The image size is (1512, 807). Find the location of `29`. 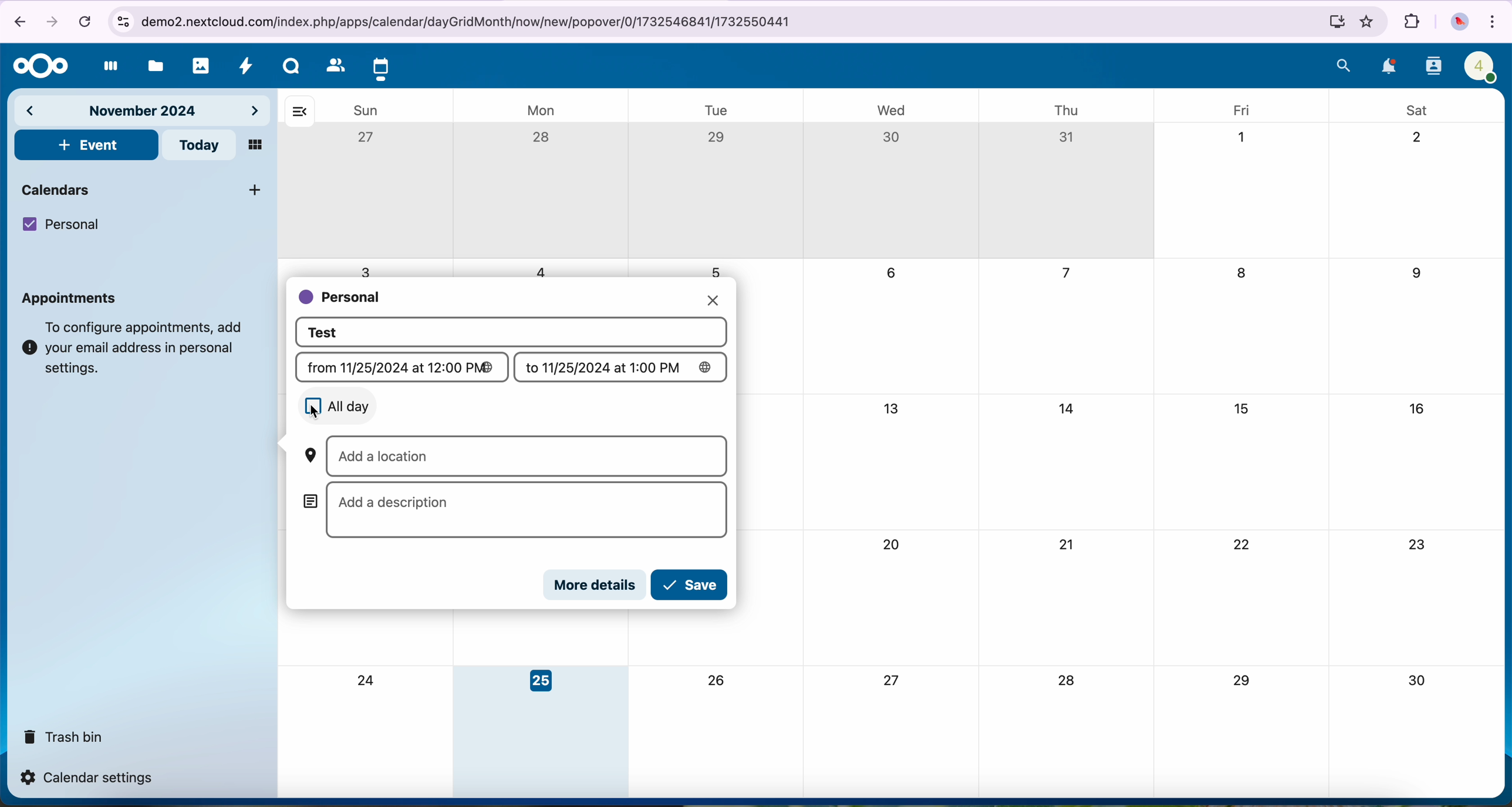

29 is located at coordinates (1240, 681).